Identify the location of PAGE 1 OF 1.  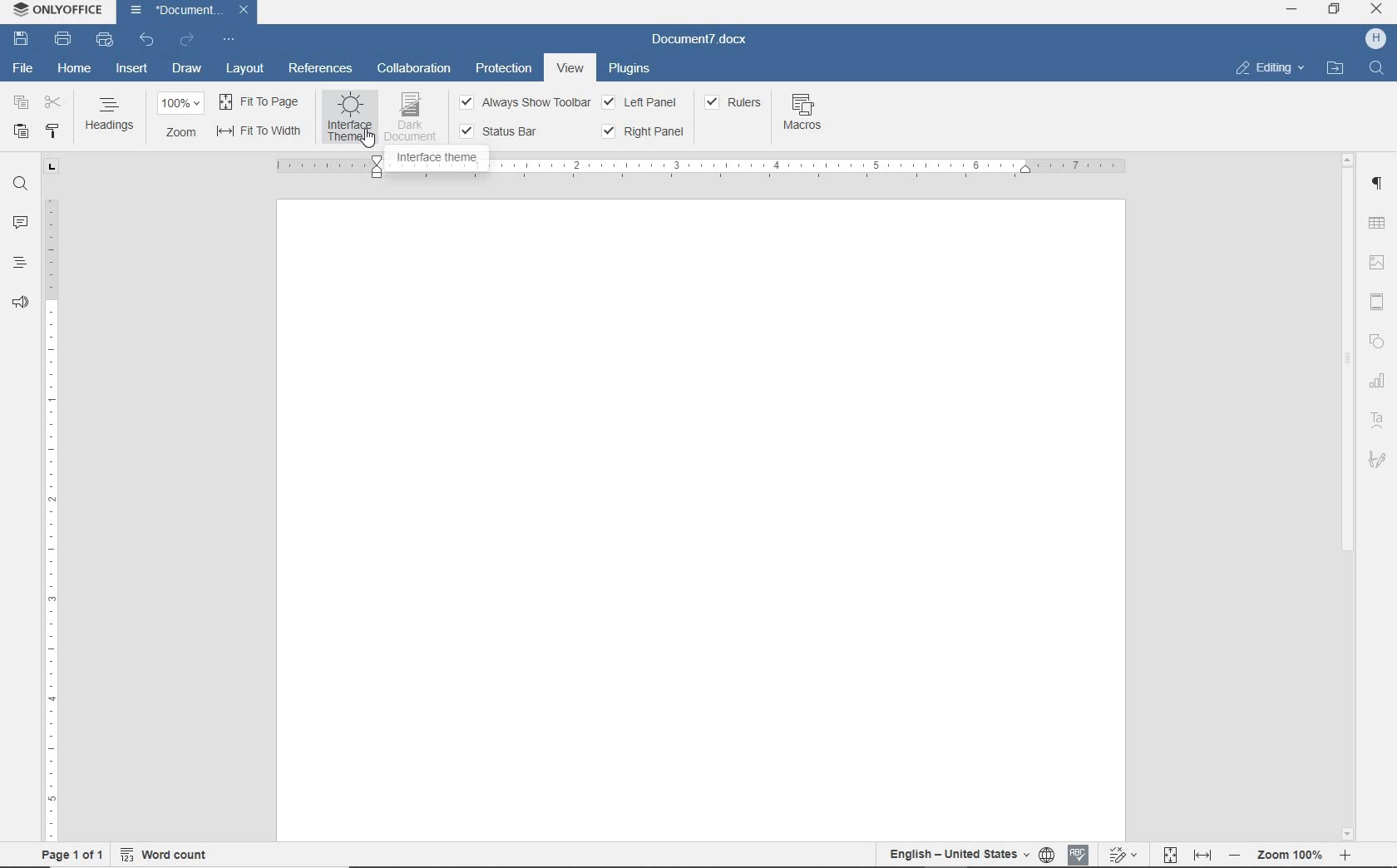
(72, 853).